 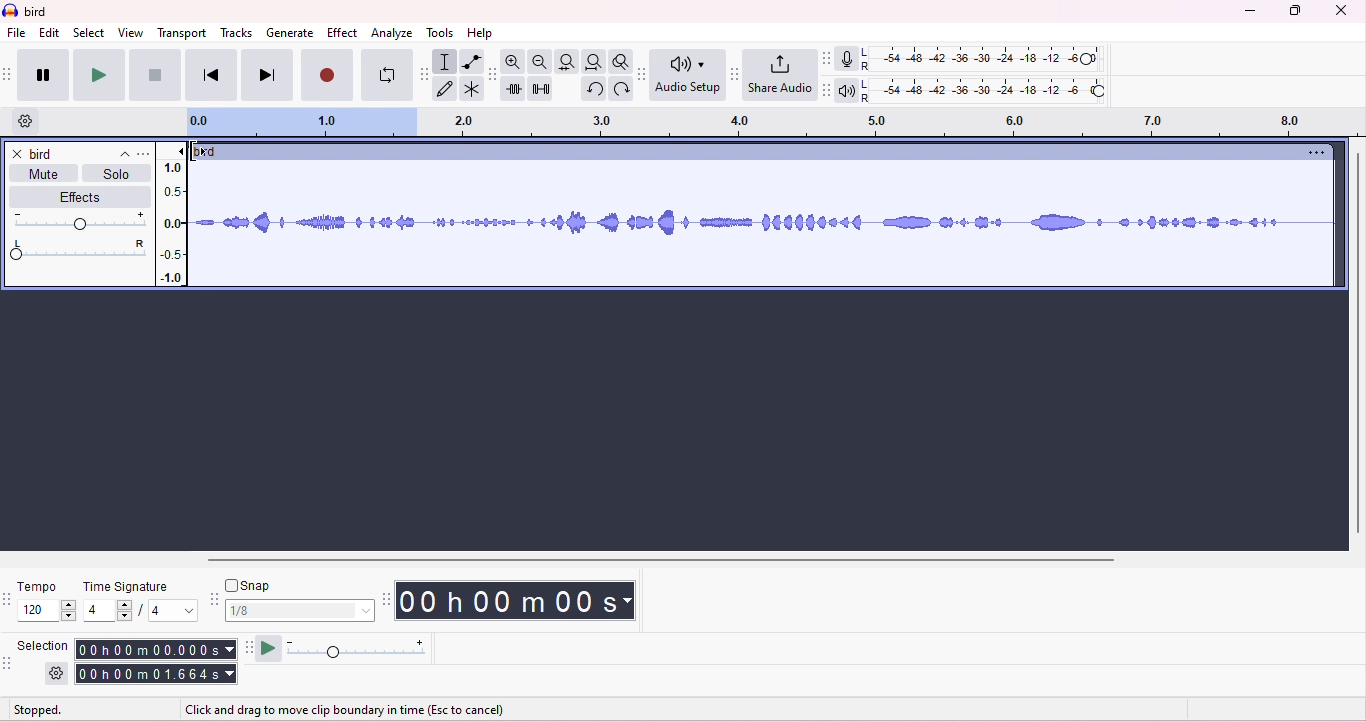 I want to click on playback speed, so click(x=357, y=650).